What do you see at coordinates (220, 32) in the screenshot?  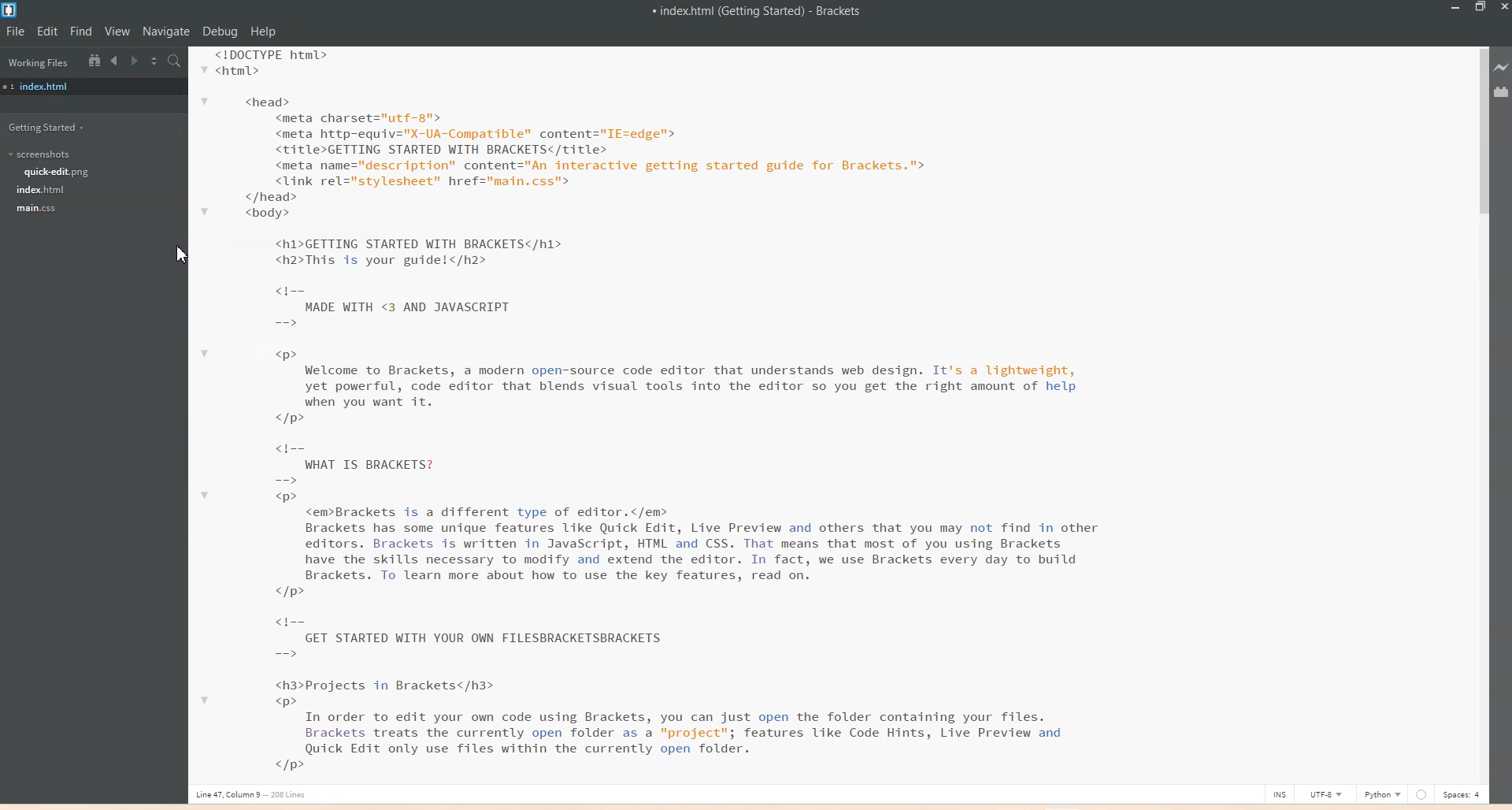 I see `Debug` at bounding box center [220, 32].